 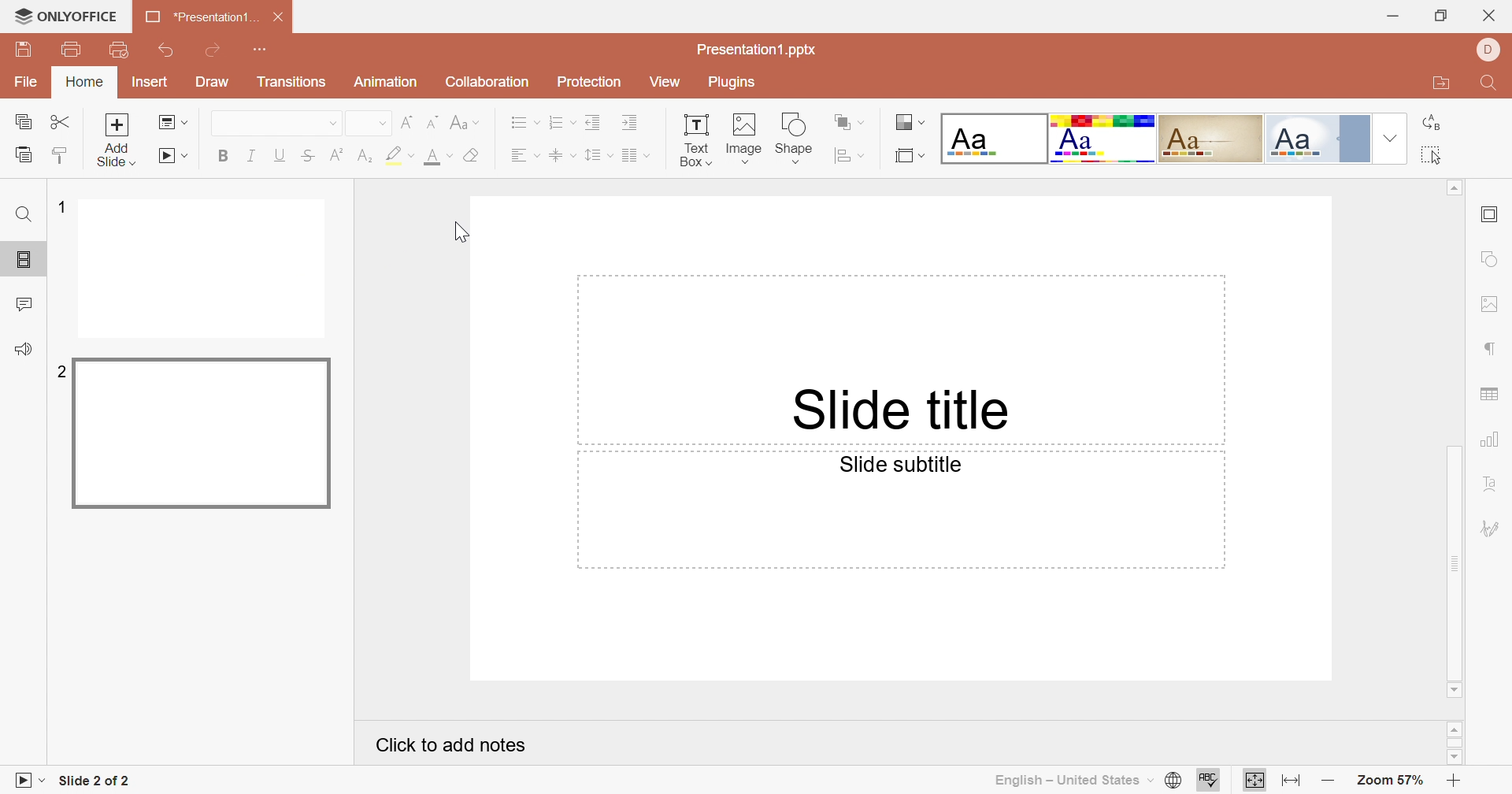 What do you see at coordinates (217, 50) in the screenshot?
I see `Redo` at bounding box center [217, 50].